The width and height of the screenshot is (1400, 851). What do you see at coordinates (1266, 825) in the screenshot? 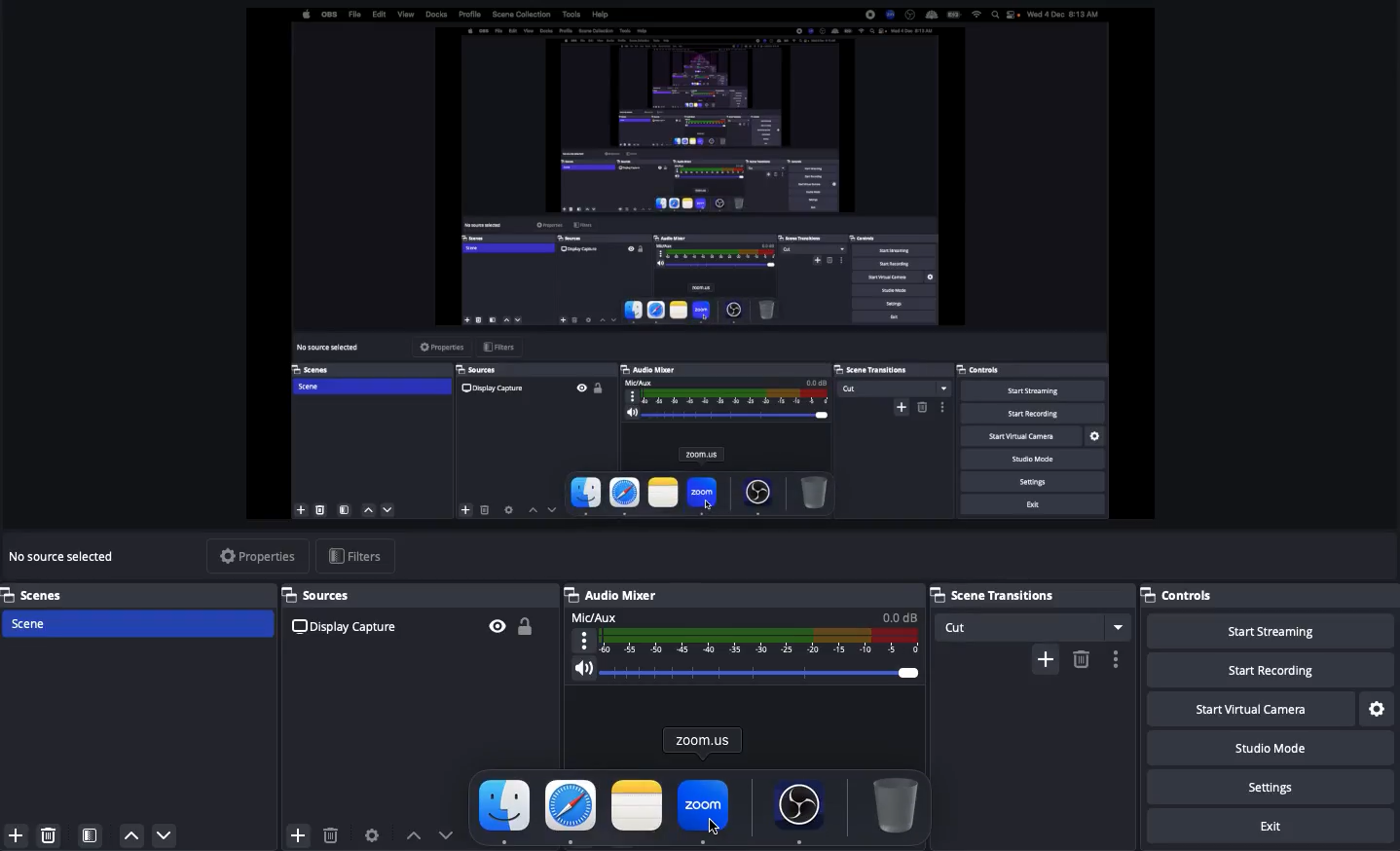
I see `Exit` at bounding box center [1266, 825].